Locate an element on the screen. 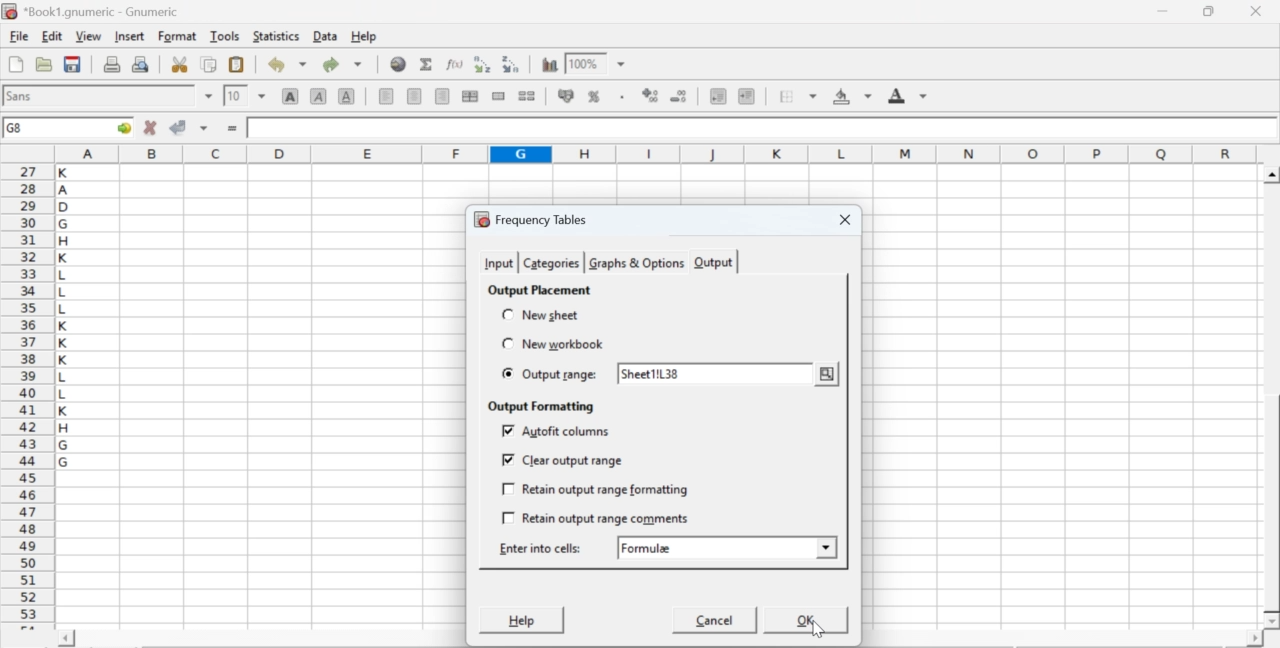  graphs & options is located at coordinates (635, 263).